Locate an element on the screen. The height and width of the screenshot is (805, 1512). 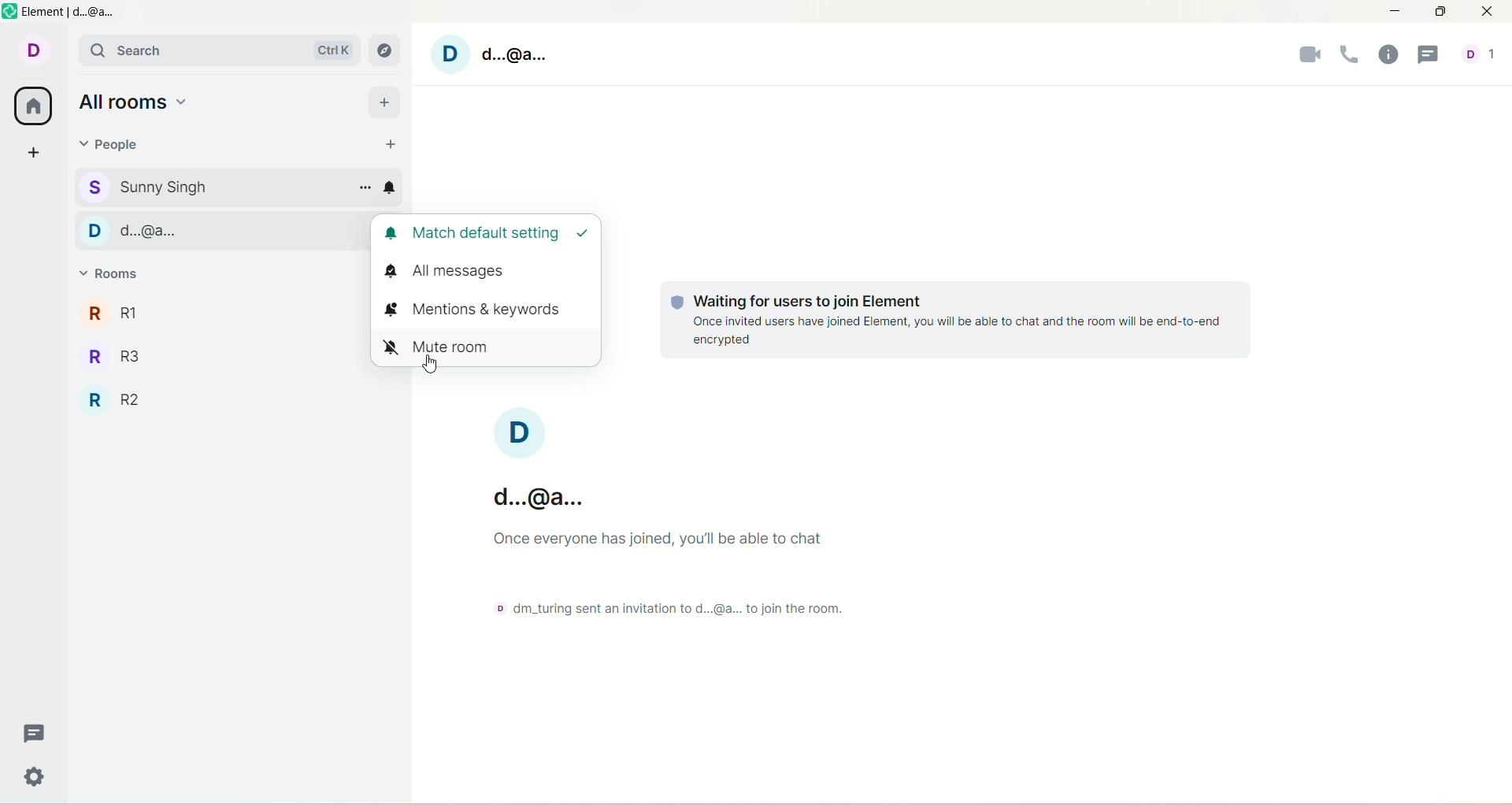
search is located at coordinates (218, 50).